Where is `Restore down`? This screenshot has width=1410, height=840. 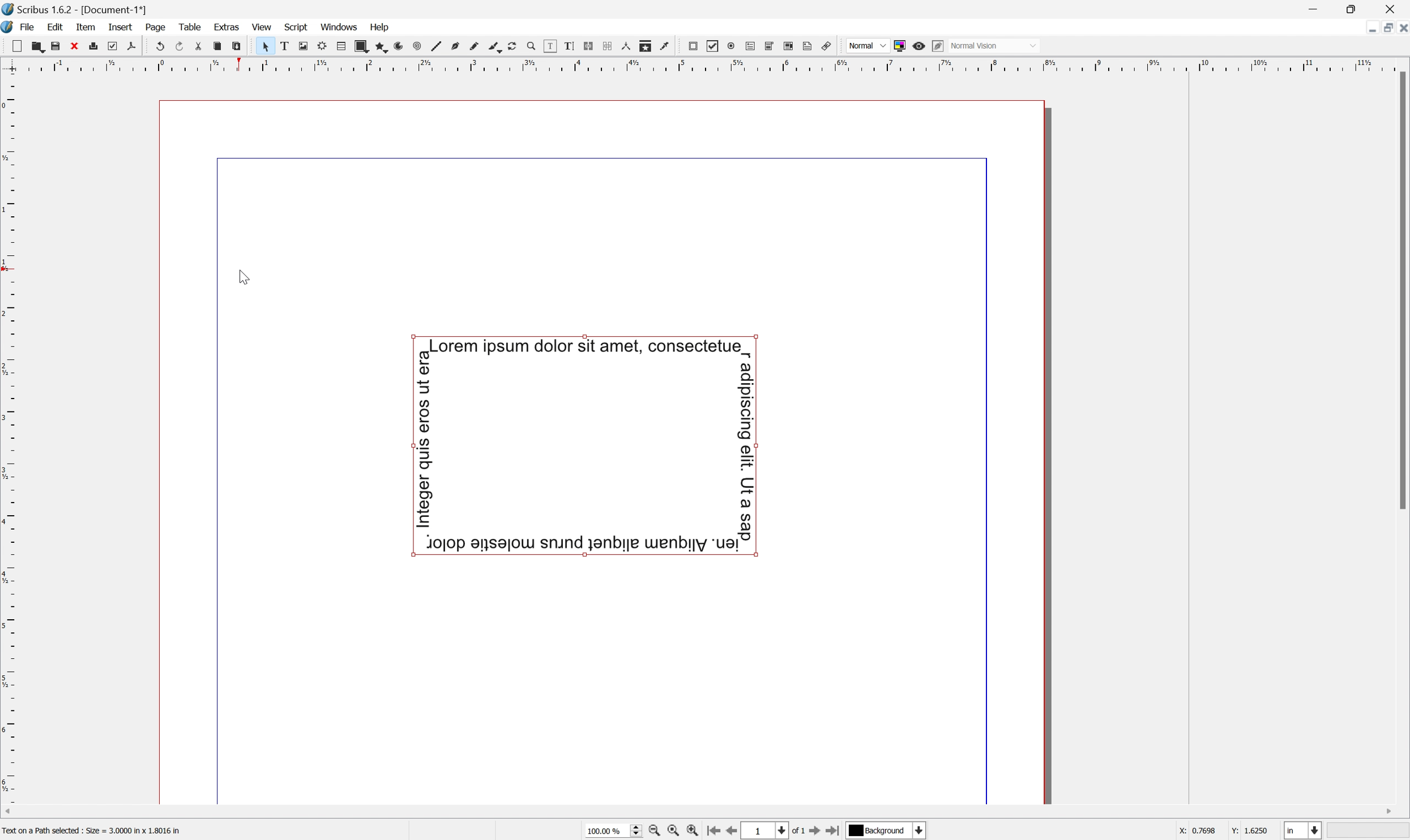 Restore down is located at coordinates (1383, 27).